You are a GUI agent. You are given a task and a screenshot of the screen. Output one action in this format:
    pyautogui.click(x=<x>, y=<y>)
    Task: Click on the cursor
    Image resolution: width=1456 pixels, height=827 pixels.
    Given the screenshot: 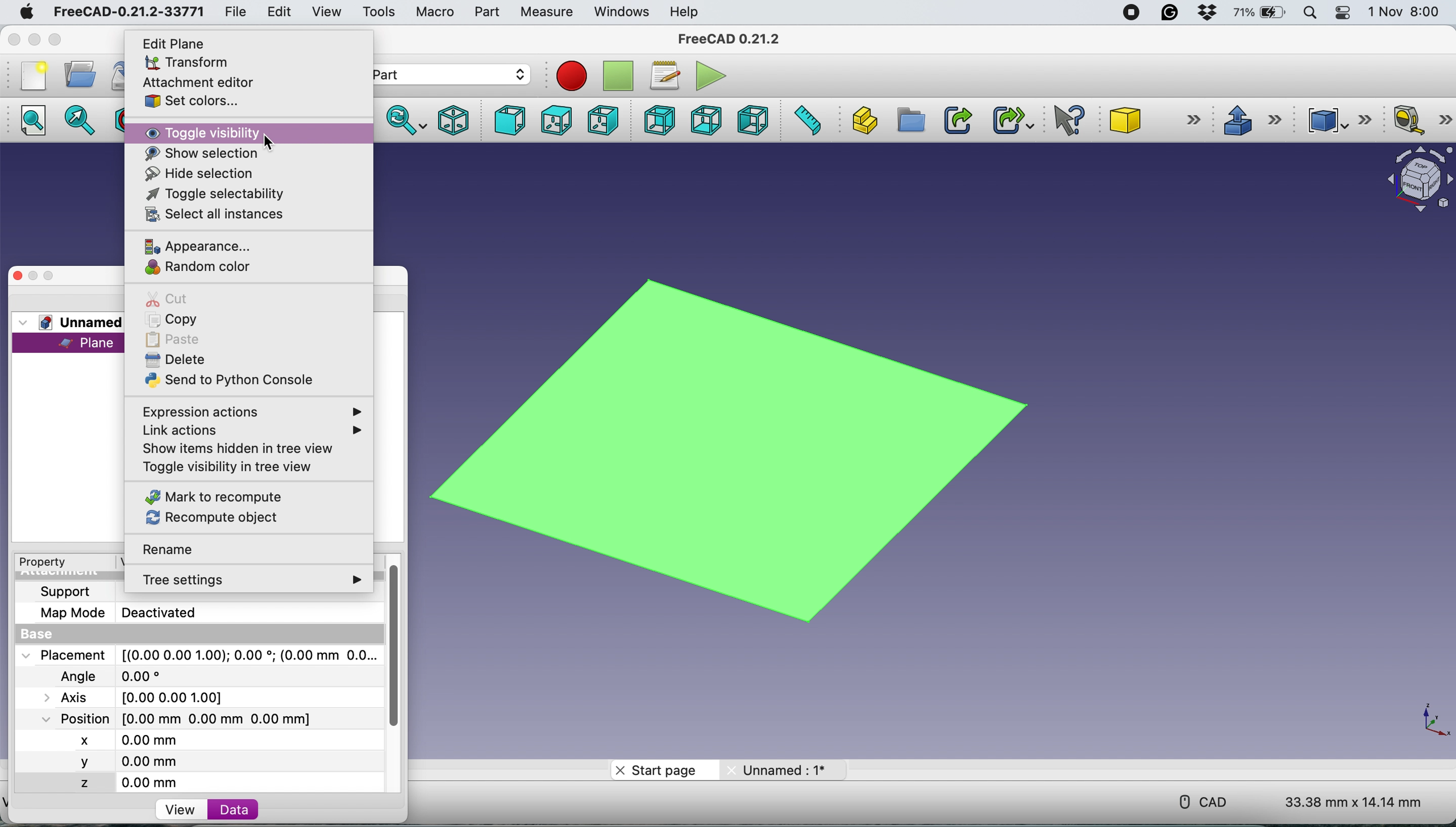 What is the action you would take?
    pyautogui.click(x=272, y=145)
    